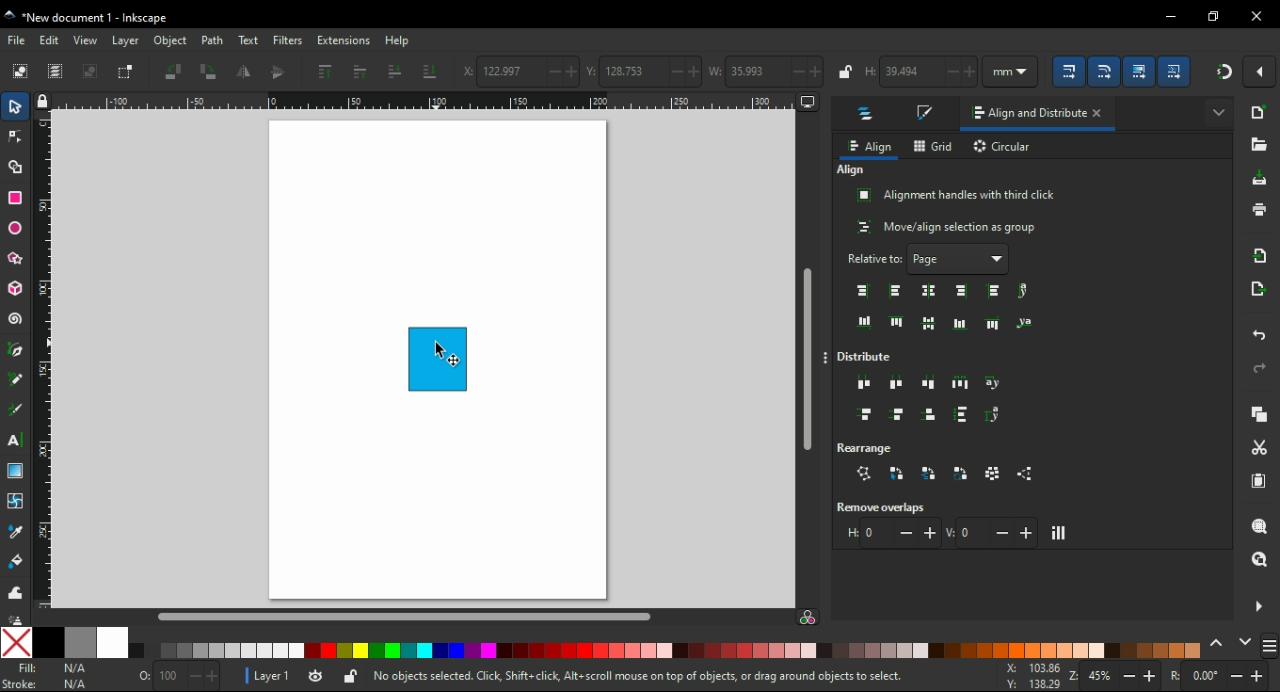  I want to click on spray tool, so click(18, 616).